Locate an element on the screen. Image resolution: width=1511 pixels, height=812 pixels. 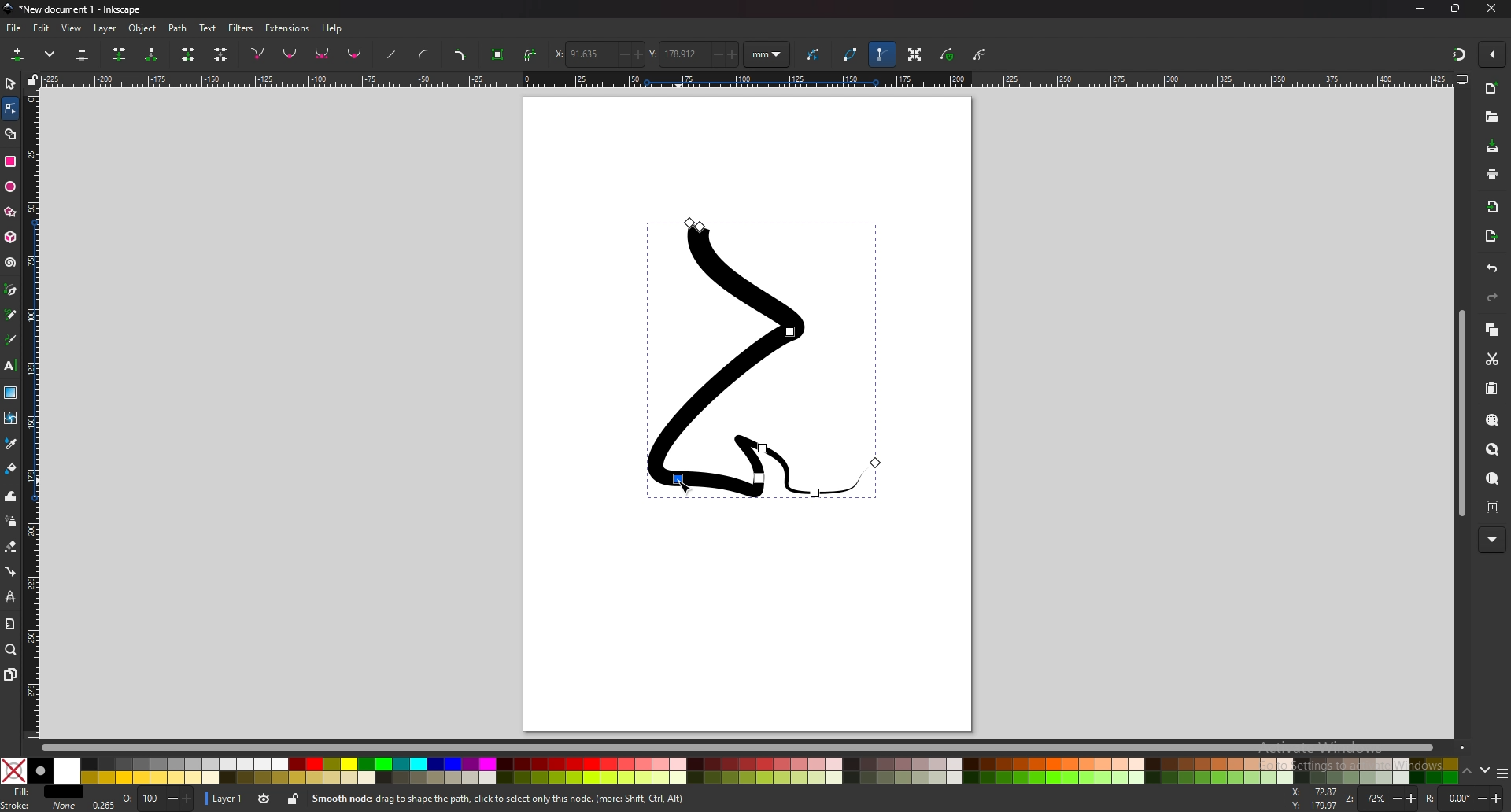
text is located at coordinates (207, 28).